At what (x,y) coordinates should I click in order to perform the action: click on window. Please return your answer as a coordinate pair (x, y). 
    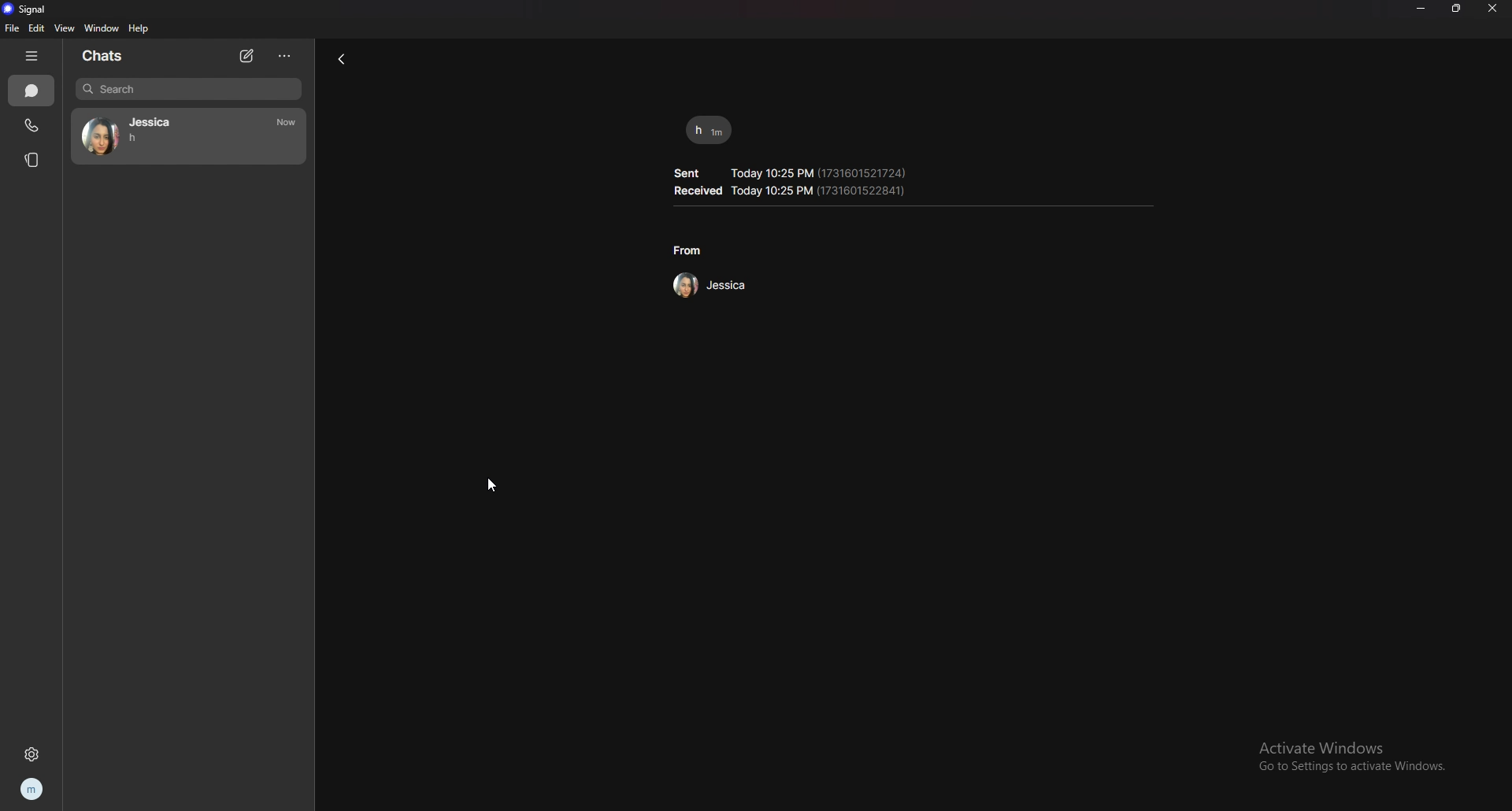
    Looking at the image, I should click on (102, 28).